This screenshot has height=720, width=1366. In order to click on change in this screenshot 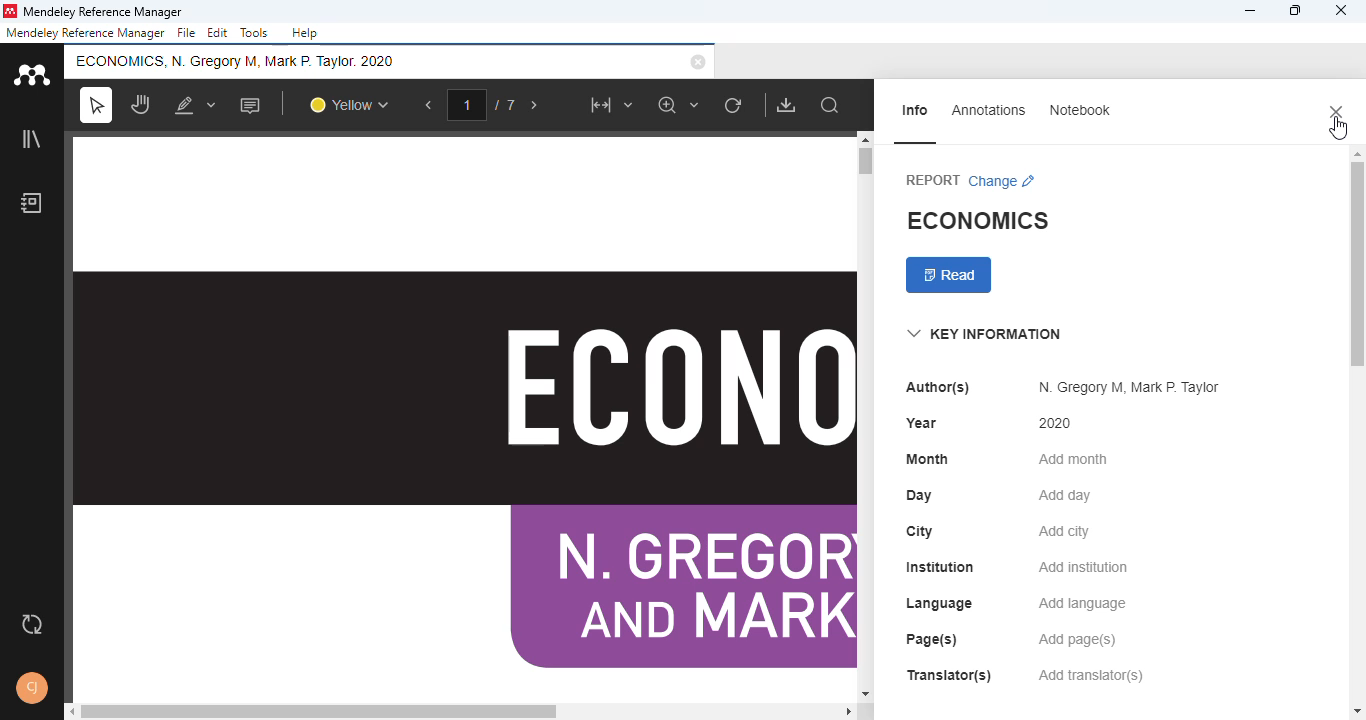, I will do `click(1003, 179)`.